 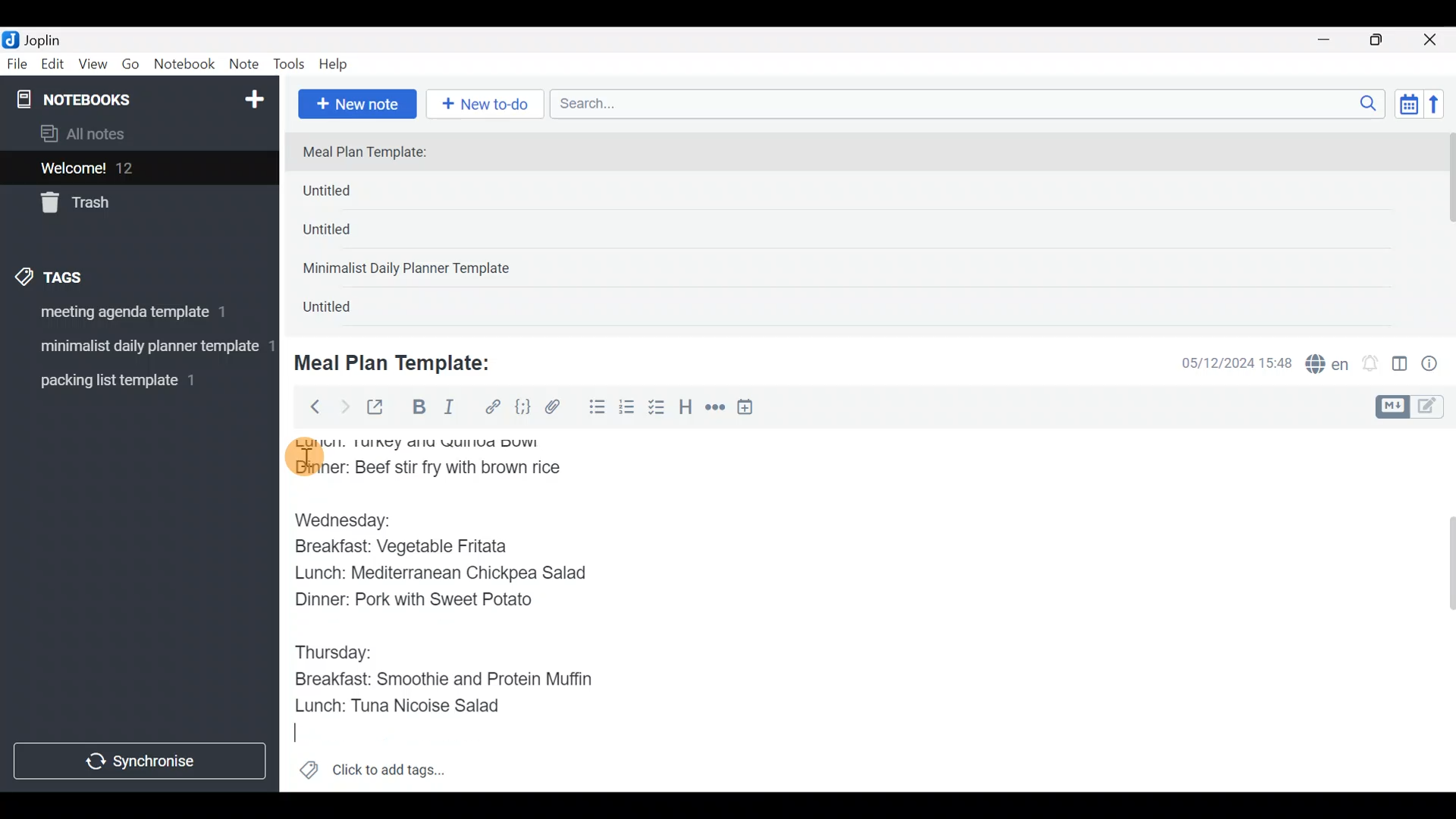 I want to click on Spelling, so click(x=1328, y=366).